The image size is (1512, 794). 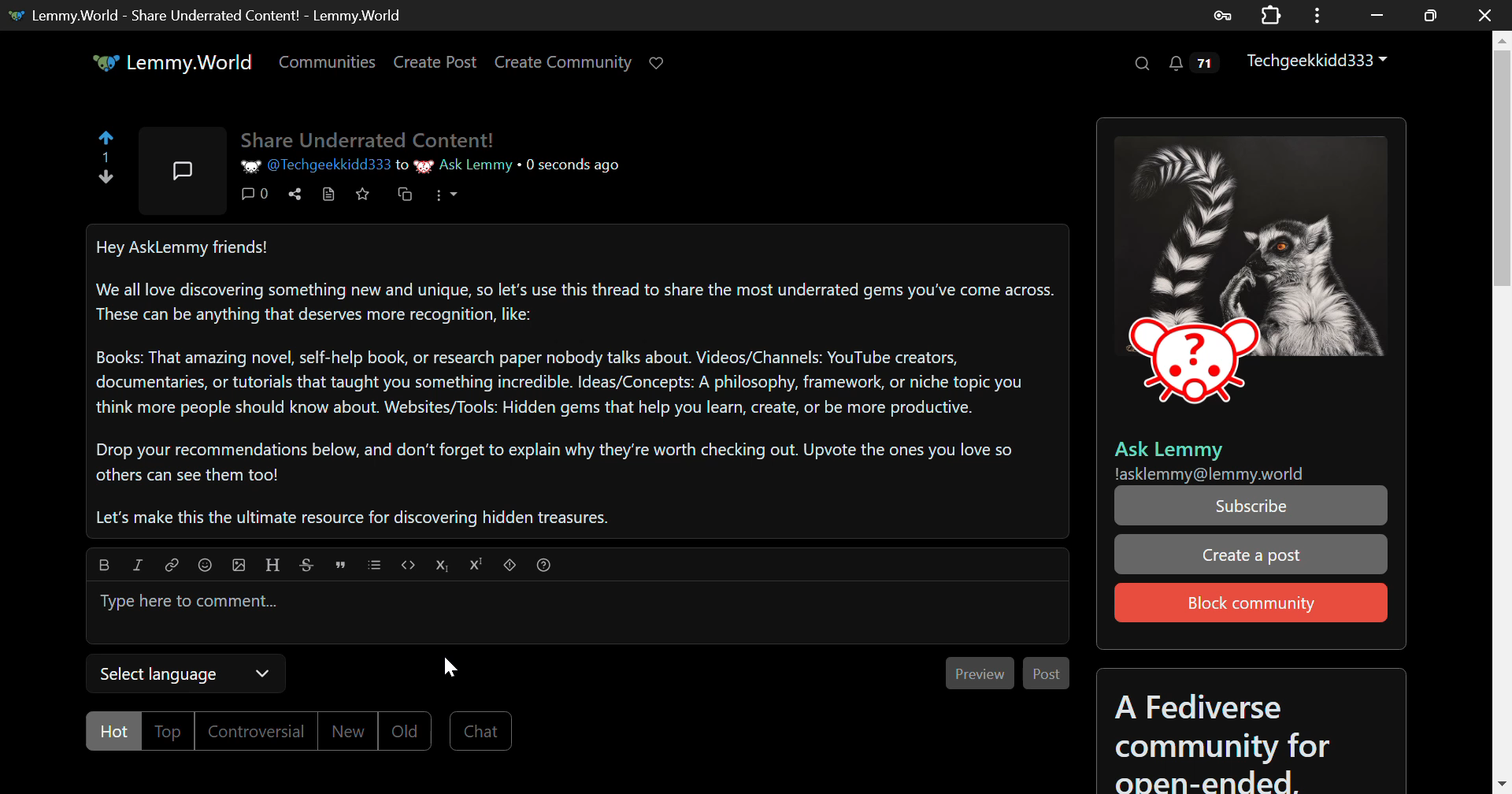 What do you see at coordinates (1249, 732) in the screenshot?
I see `Community Rules` at bounding box center [1249, 732].